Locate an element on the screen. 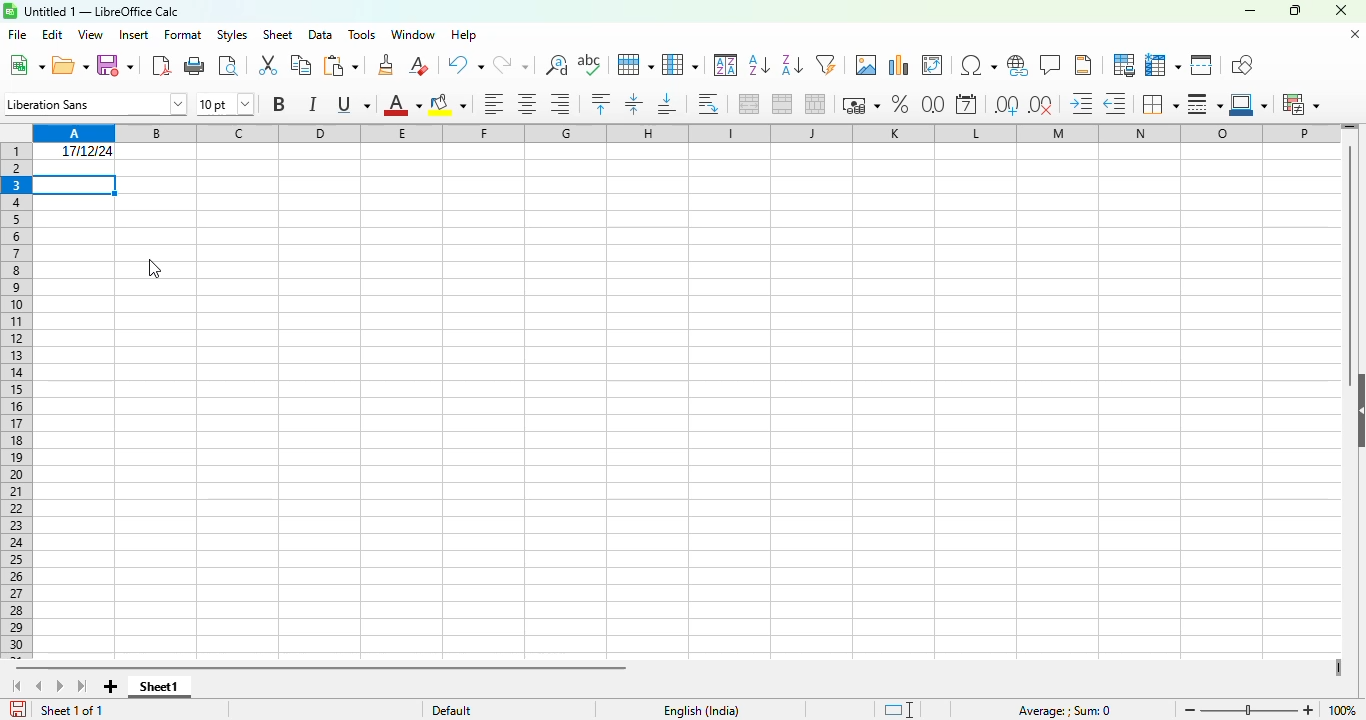 The width and height of the screenshot is (1366, 720). undo is located at coordinates (464, 65).